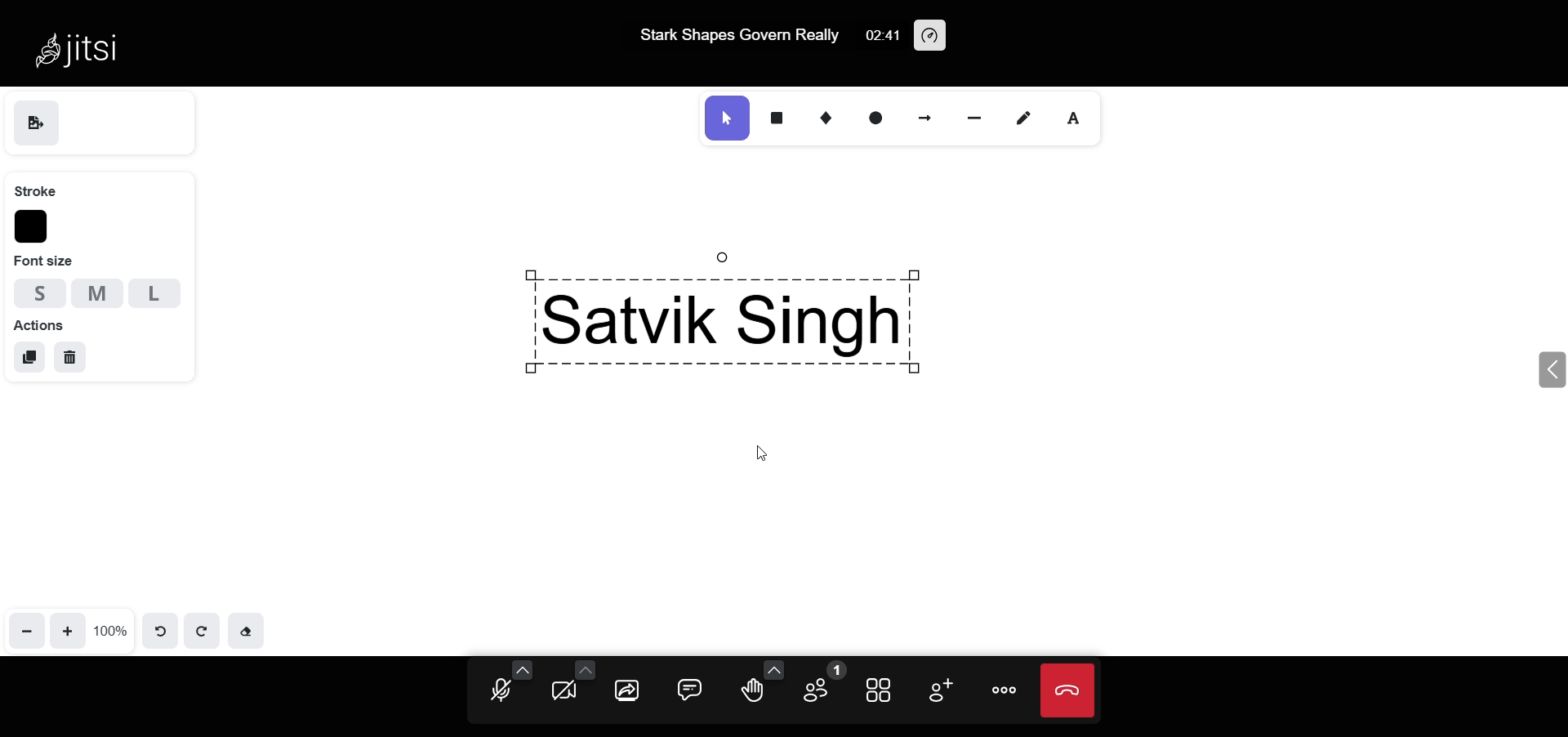  What do you see at coordinates (33, 227) in the screenshot?
I see `stroke color` at bounding box center [33, 227].